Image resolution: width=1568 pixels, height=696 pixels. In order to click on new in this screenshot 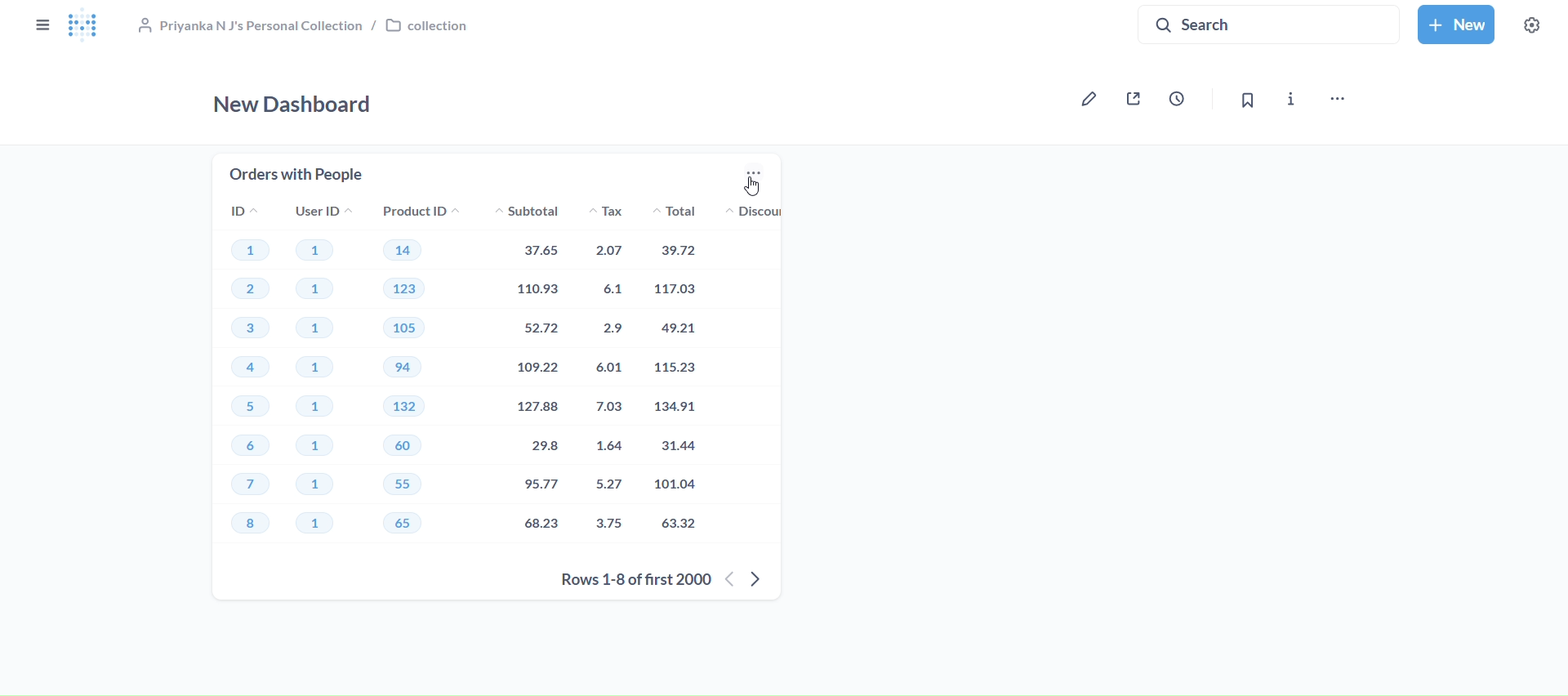, I will do `click(1454, 25)`.